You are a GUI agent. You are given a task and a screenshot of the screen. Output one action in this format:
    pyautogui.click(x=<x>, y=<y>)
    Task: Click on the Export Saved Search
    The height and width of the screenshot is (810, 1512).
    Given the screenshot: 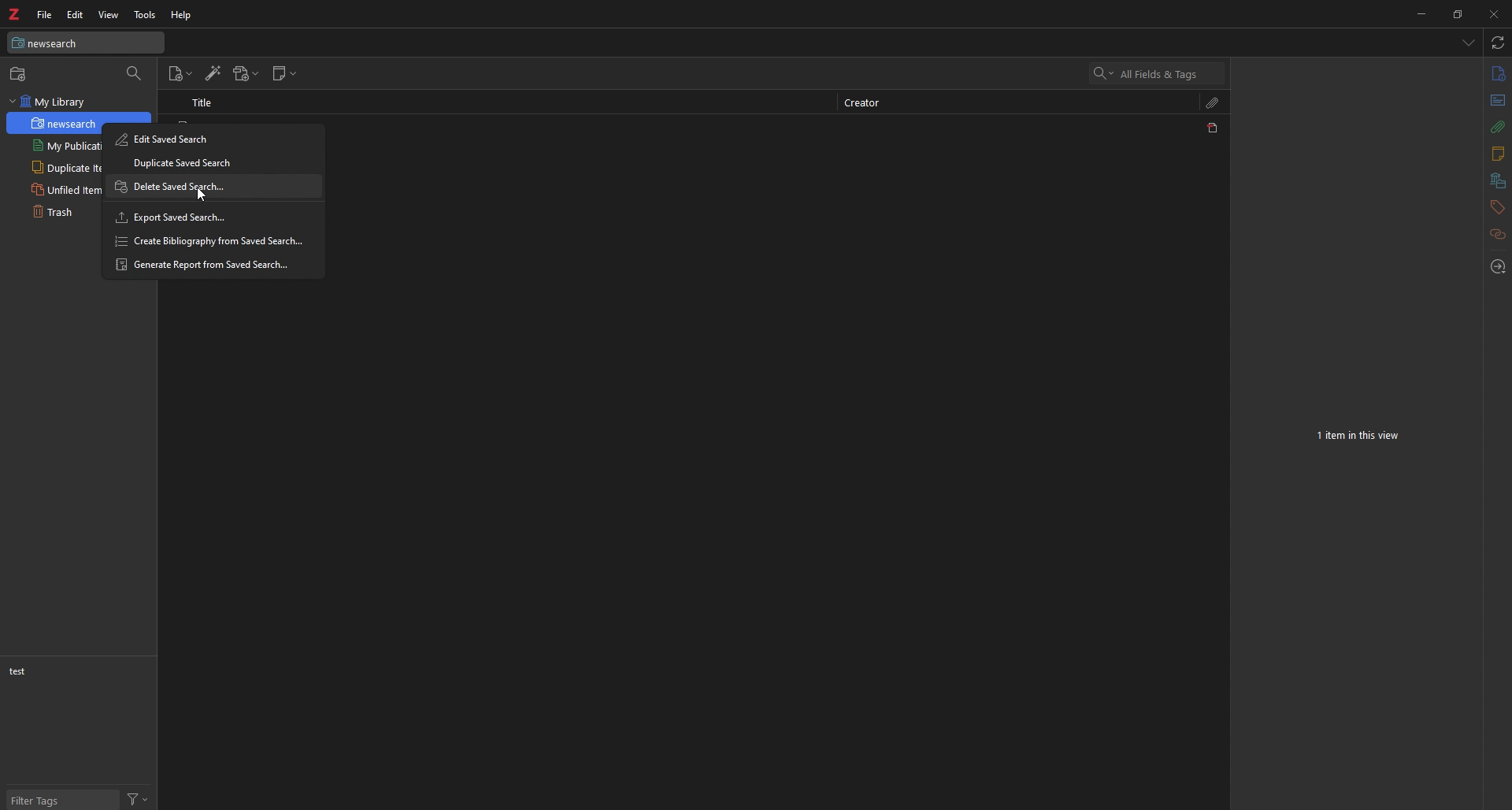 What is the action you would take?
    pyautogui.click(x=173, y=217)
    